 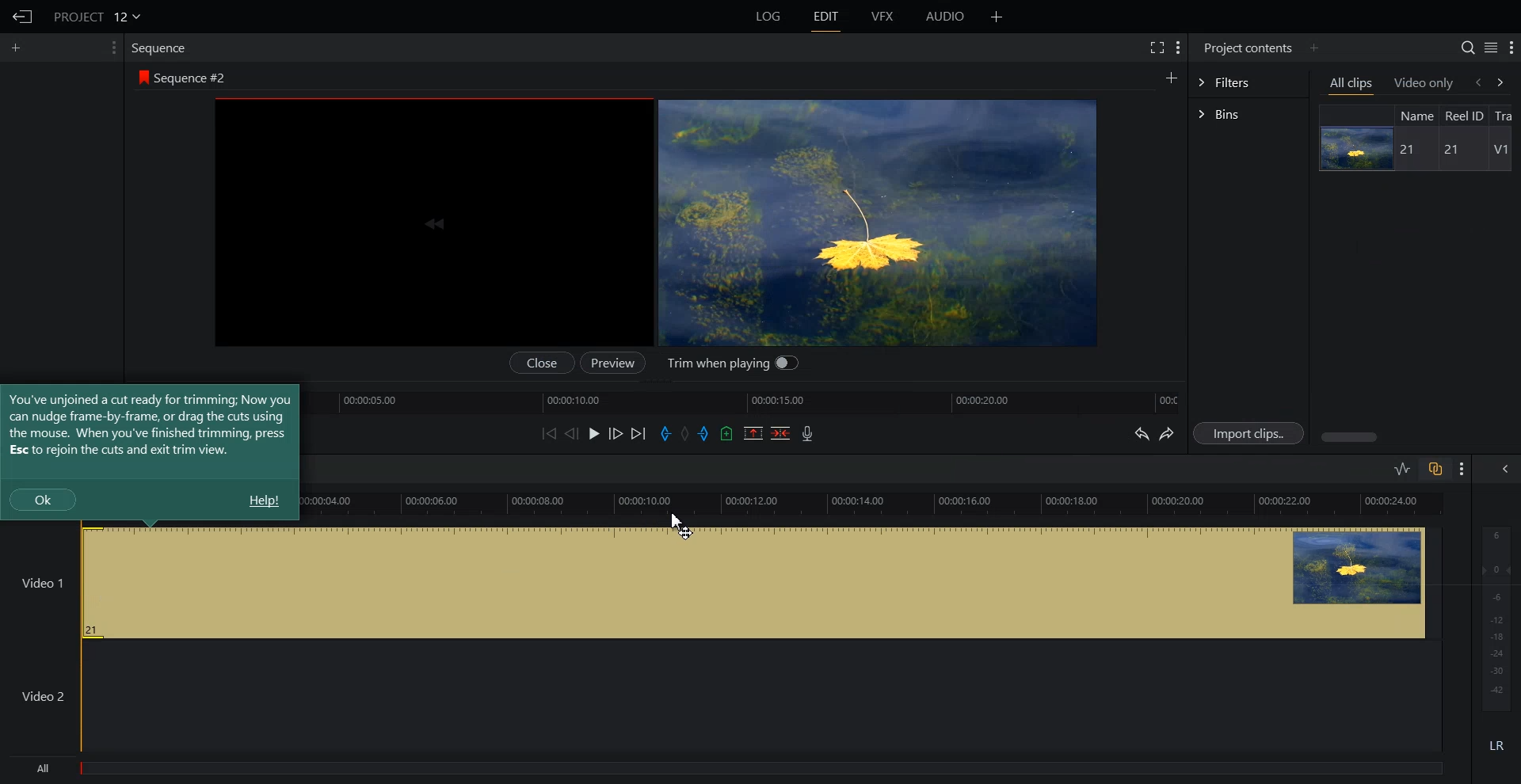 What do you see at coordinates (883, 17) in the screenshot?
I see `VFX` at bounding box center [883, 17].